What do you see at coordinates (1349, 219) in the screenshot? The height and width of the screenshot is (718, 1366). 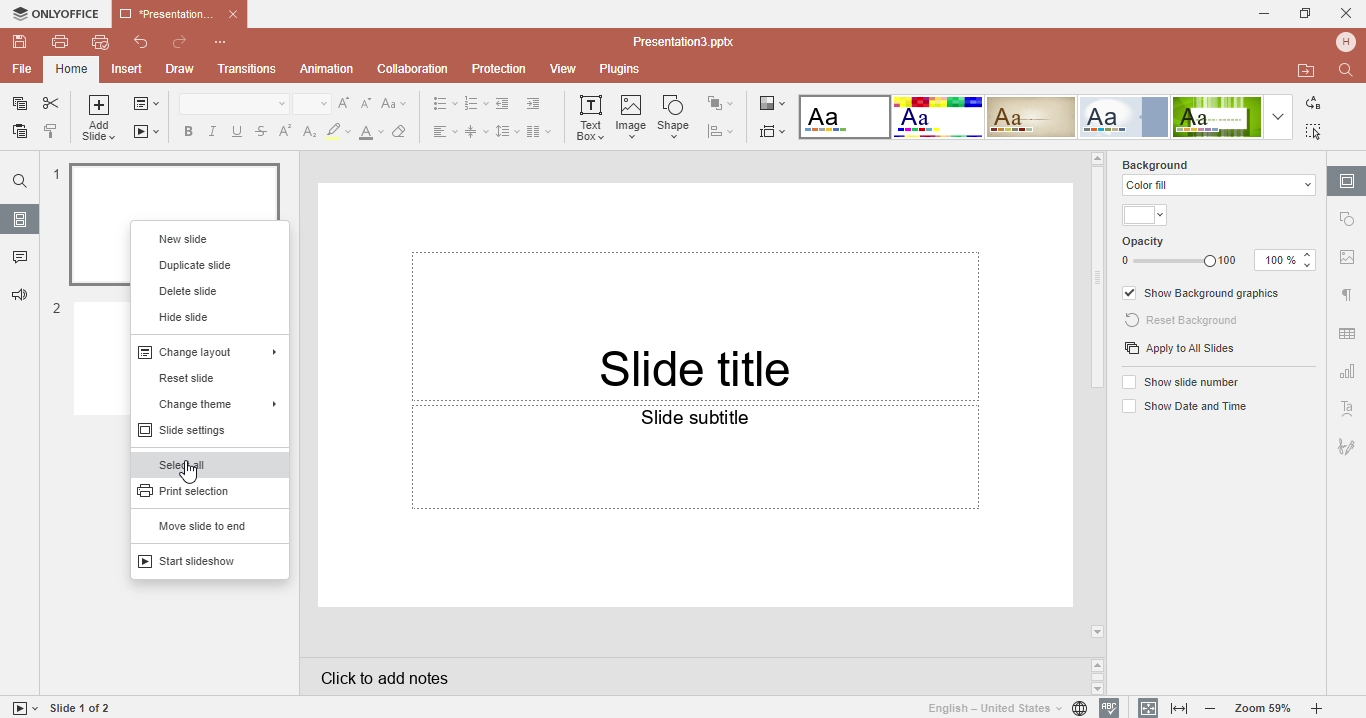 I see `Shape settings` at bounding box center [1349, 219].